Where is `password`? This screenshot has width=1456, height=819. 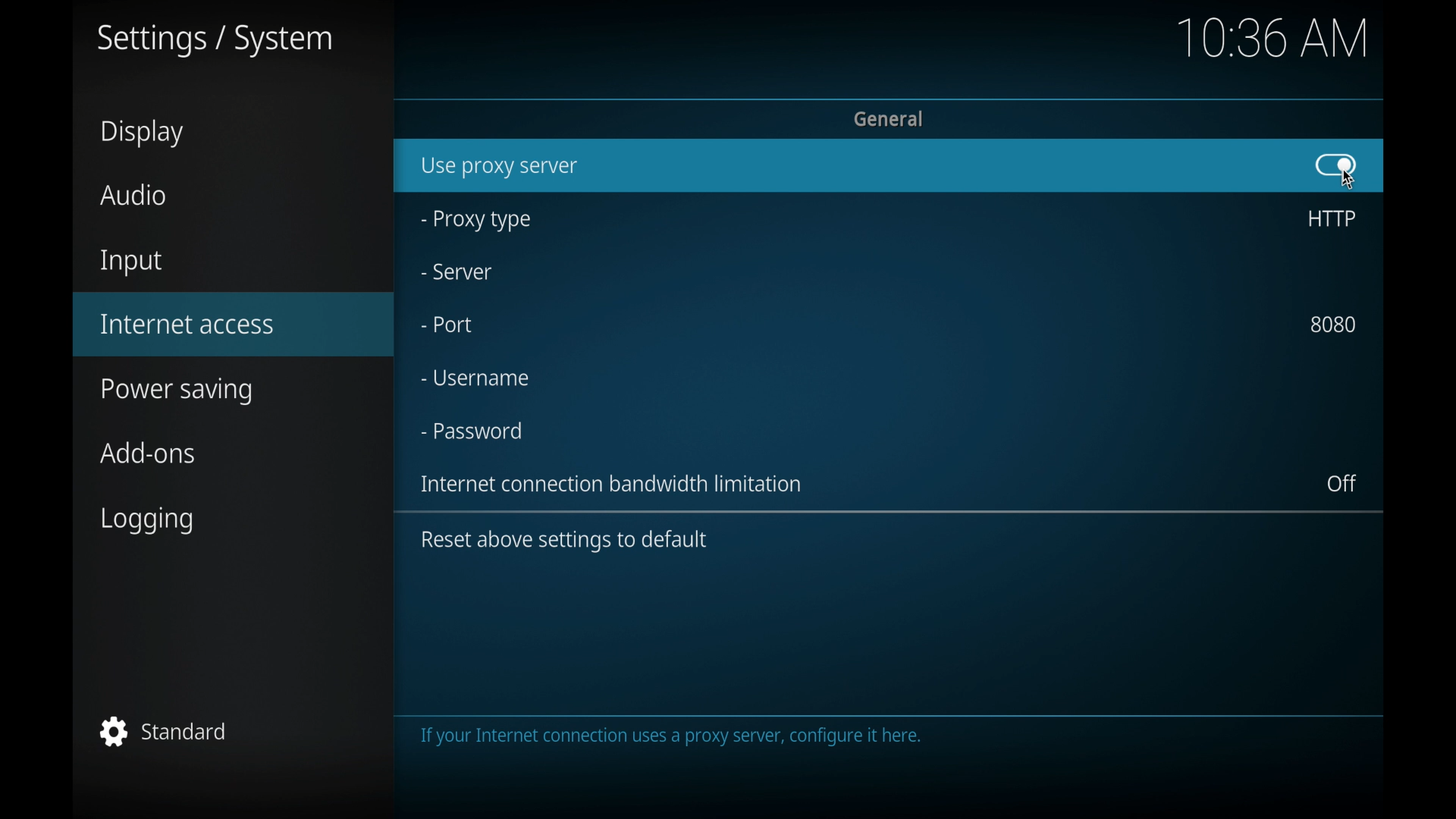 password is located at coordinates (472, 431).